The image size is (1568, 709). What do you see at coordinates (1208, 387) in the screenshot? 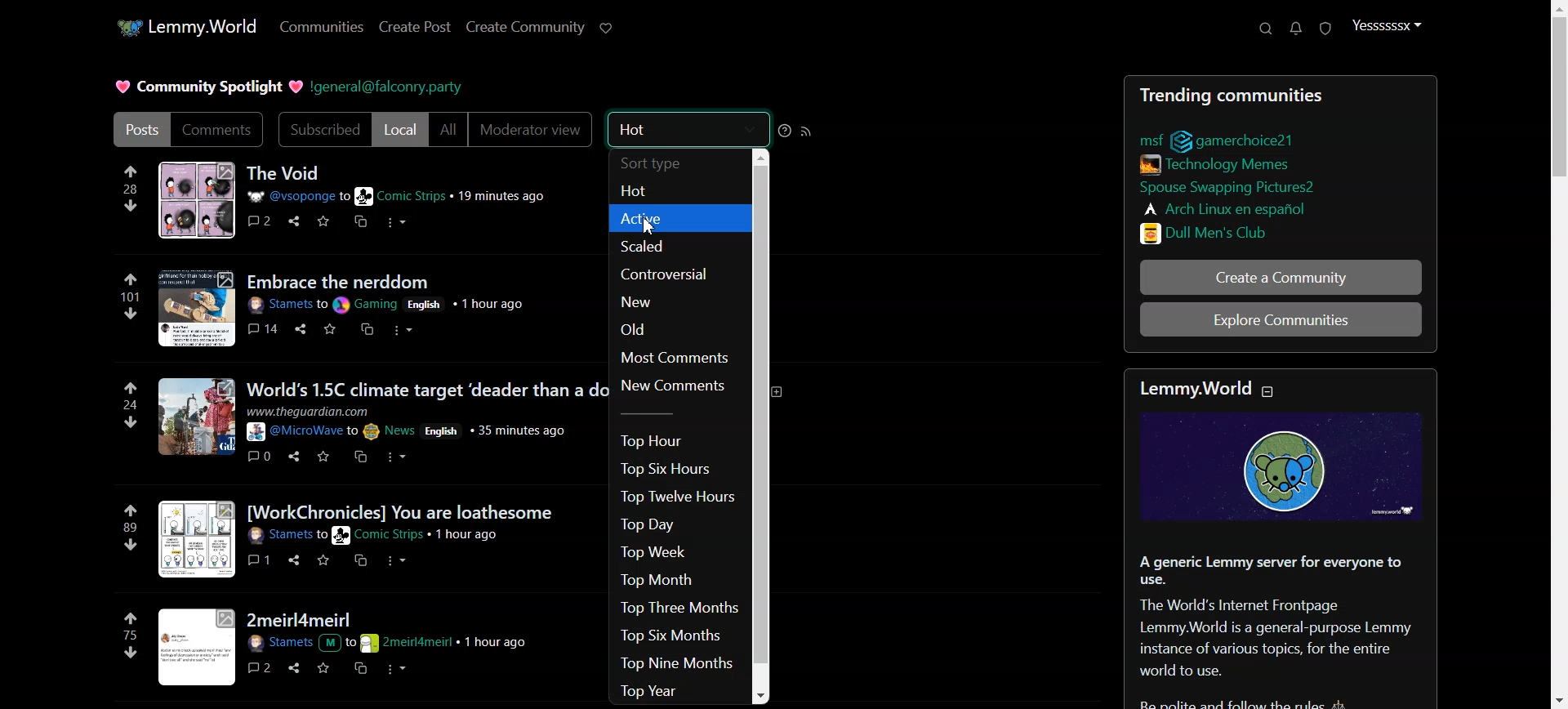
I see `text` at bounding box center [1208, 387].